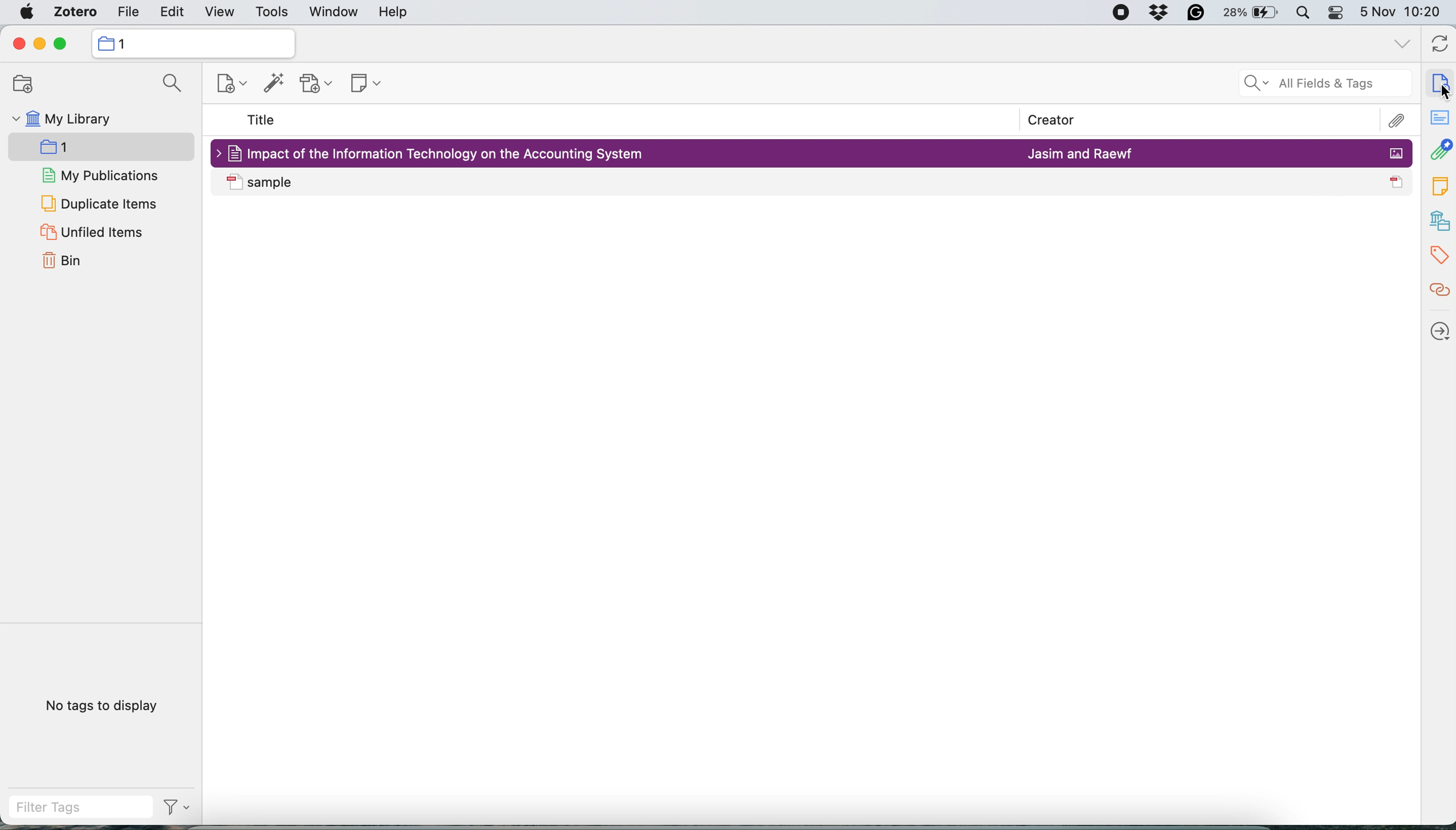 The width and height of the screenshot is (1456, 830). I want to click on creator, so click(1050, 118).